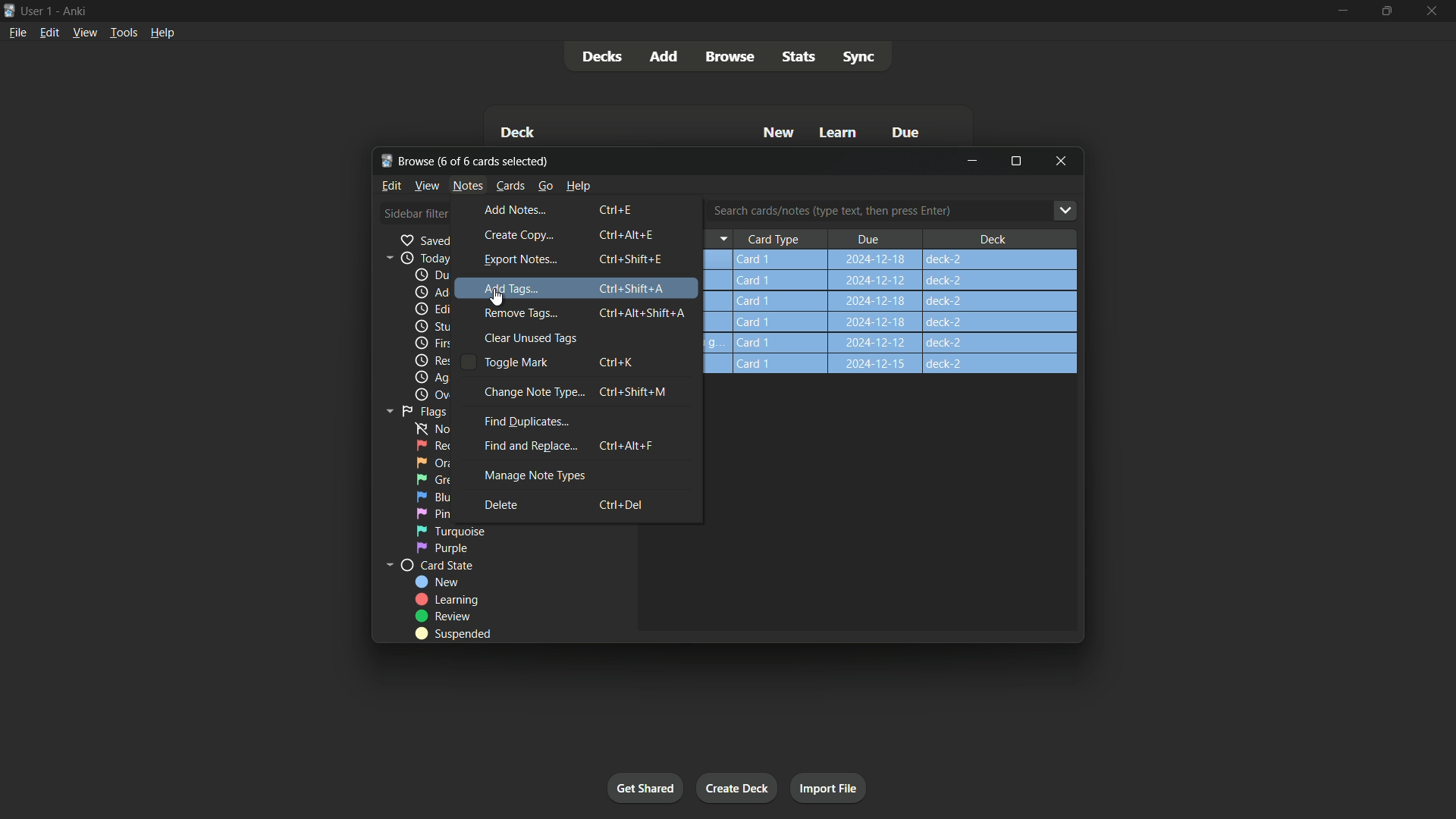 The height and width of the screenshot is (819, 1456). Describe the element at coordinates (858, 57) in the screenshot. I see `Sync` at that location.